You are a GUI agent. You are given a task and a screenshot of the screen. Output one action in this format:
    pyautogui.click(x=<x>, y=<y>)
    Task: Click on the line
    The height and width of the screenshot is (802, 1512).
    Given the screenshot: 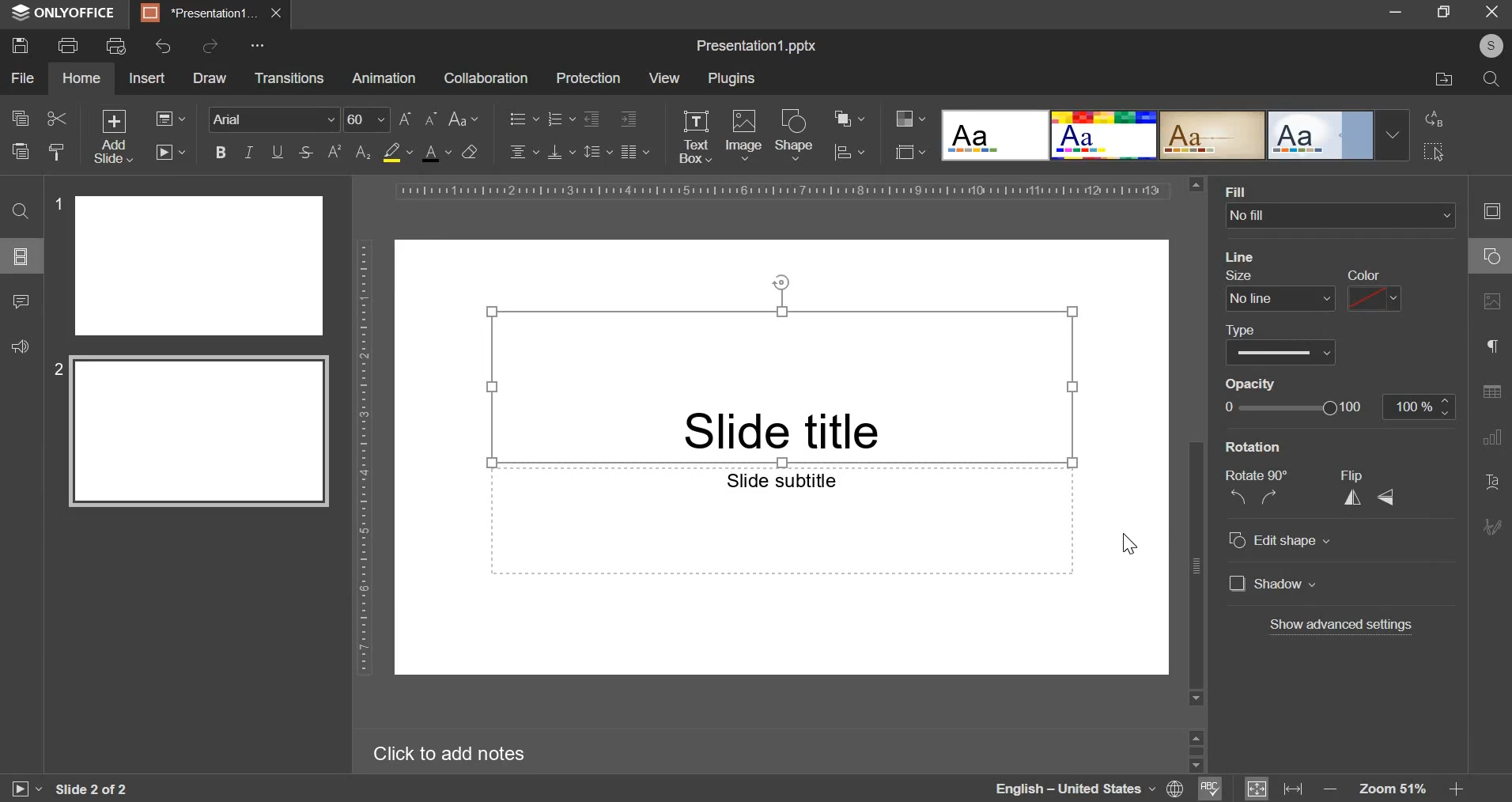 What is the action you would take?
    pyautogui.click(x=1242, y=256)
    